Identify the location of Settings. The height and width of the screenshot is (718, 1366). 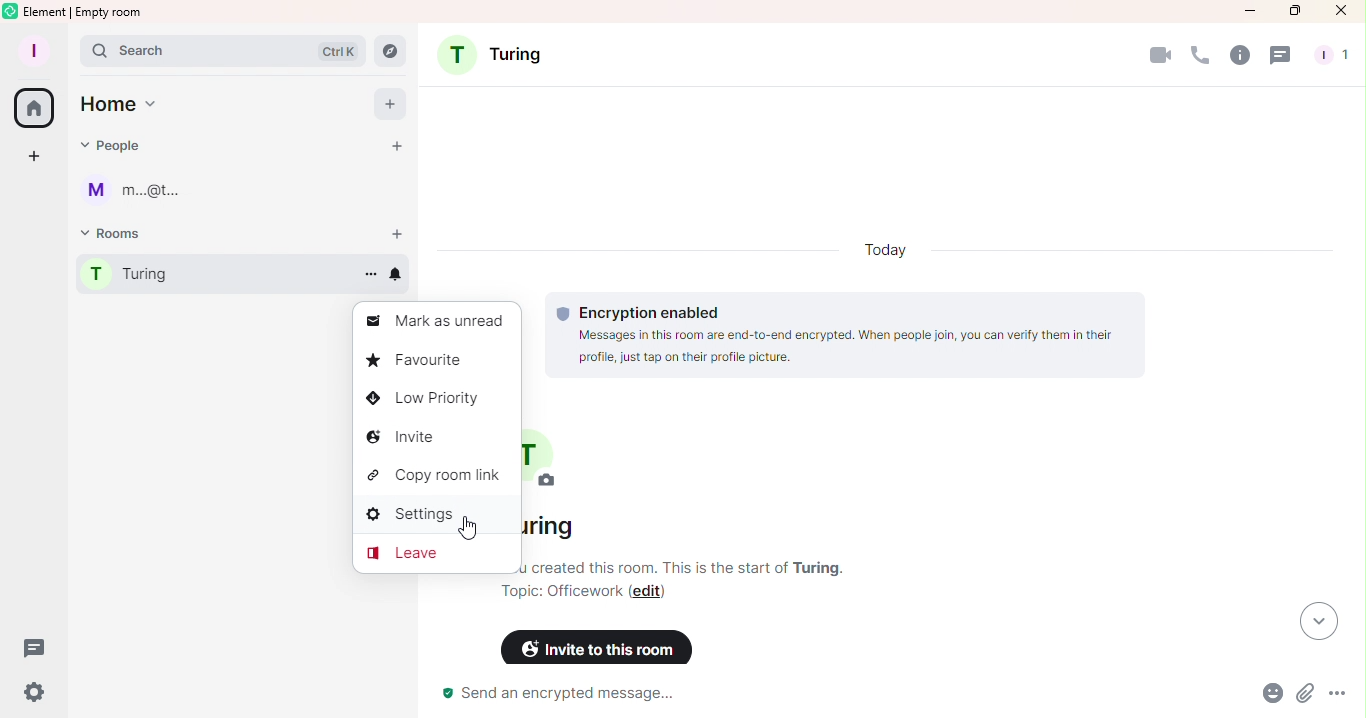
(410, 515).